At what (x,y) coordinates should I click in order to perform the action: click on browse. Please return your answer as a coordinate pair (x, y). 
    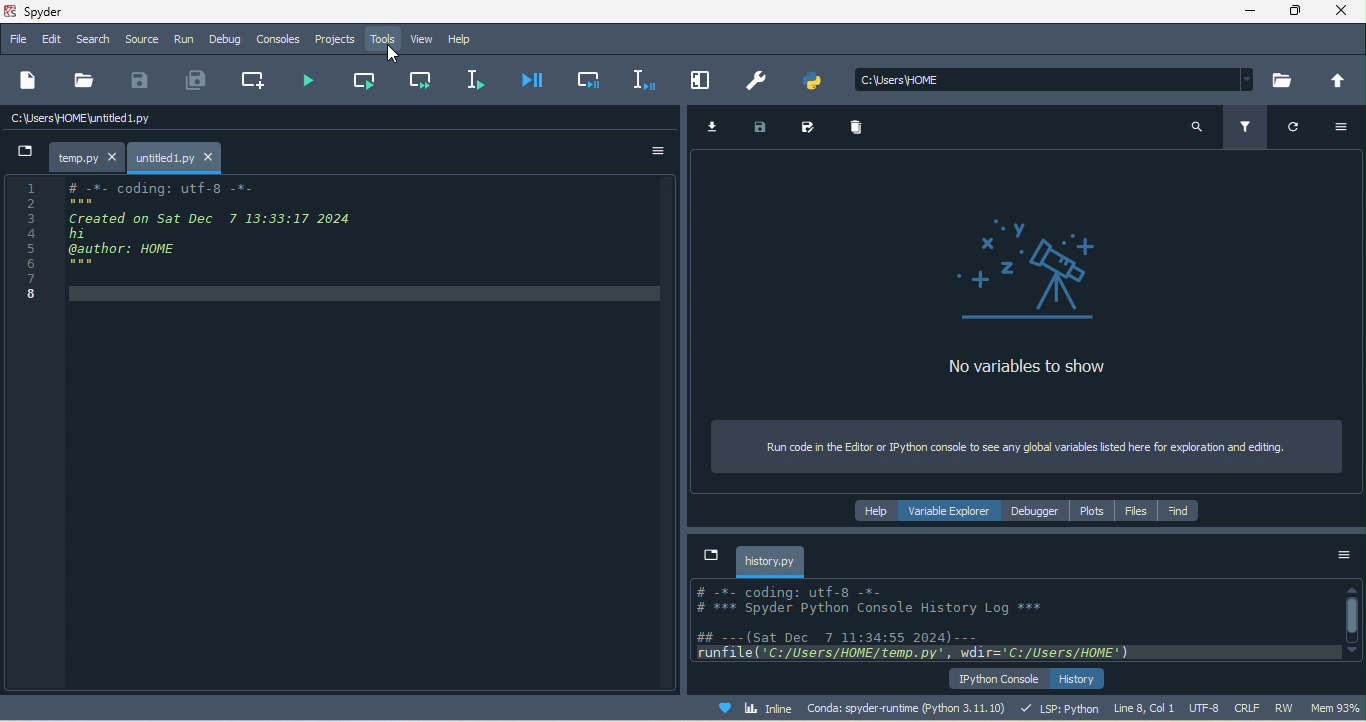
    Looking at the image, I should click on (1286, 80).